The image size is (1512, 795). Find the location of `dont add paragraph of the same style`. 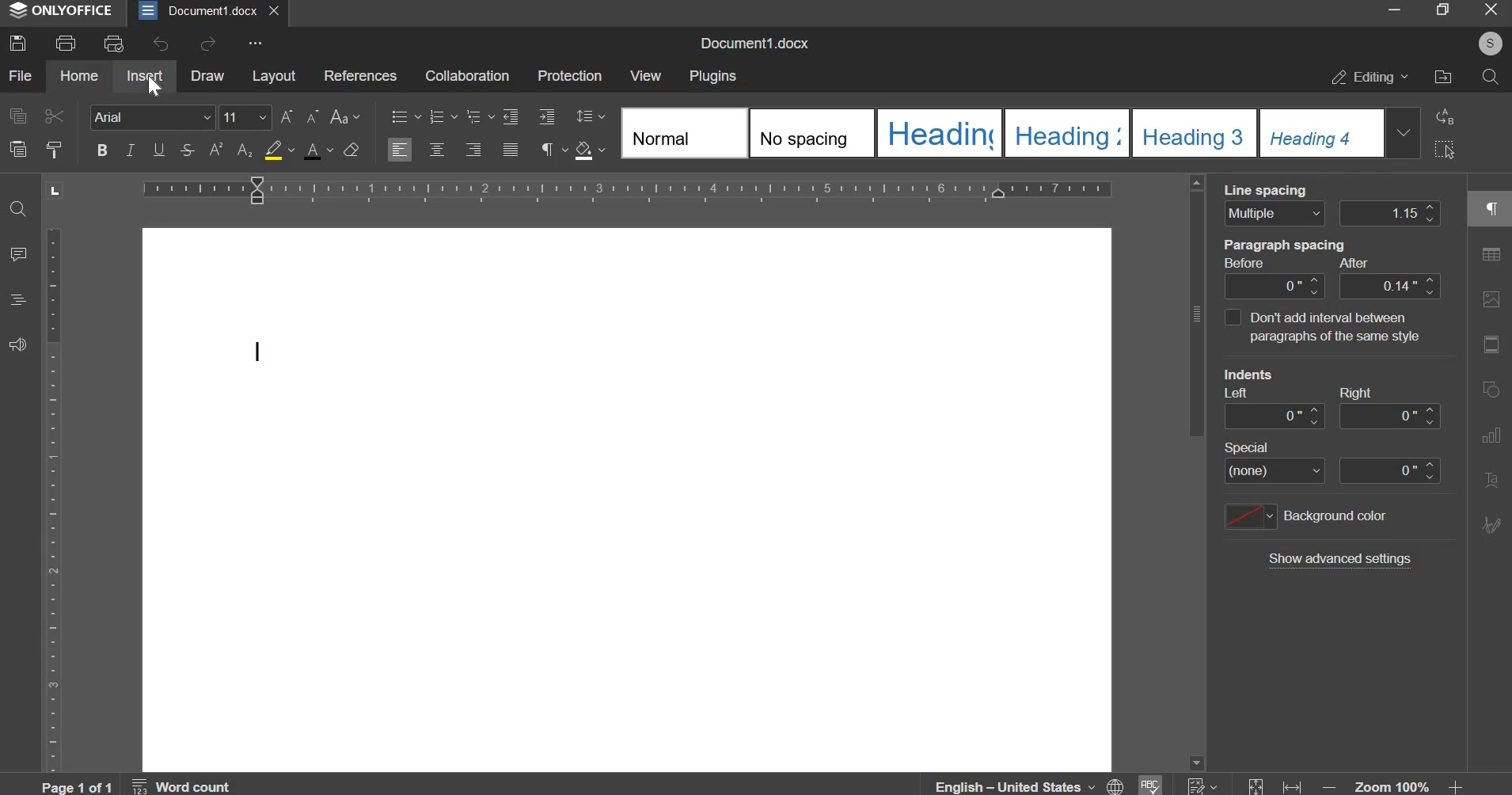

dont add paragraph of the same style is located at coordinates (1348, 333).